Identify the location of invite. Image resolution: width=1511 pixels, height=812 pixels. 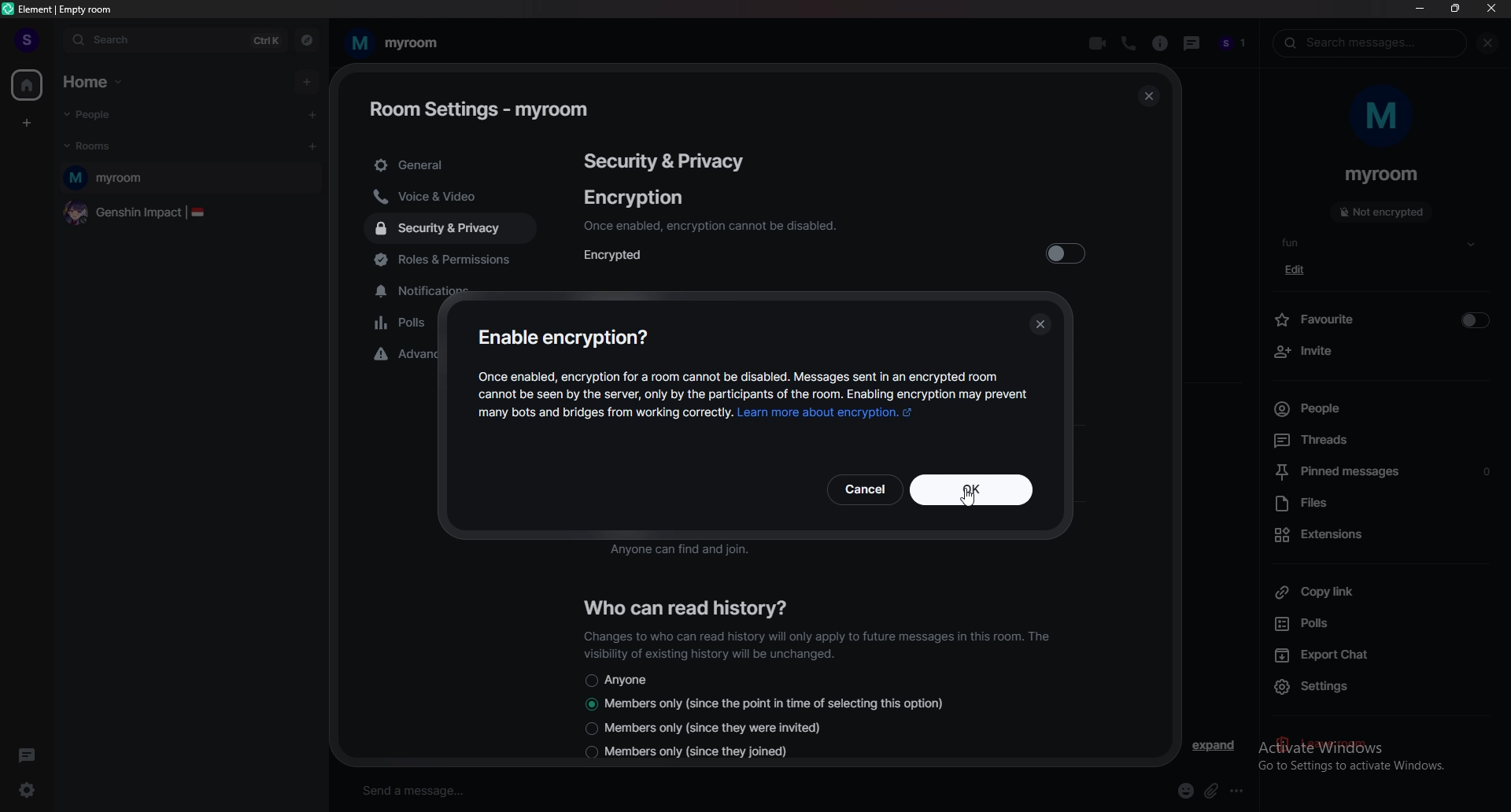
(1384, 352).